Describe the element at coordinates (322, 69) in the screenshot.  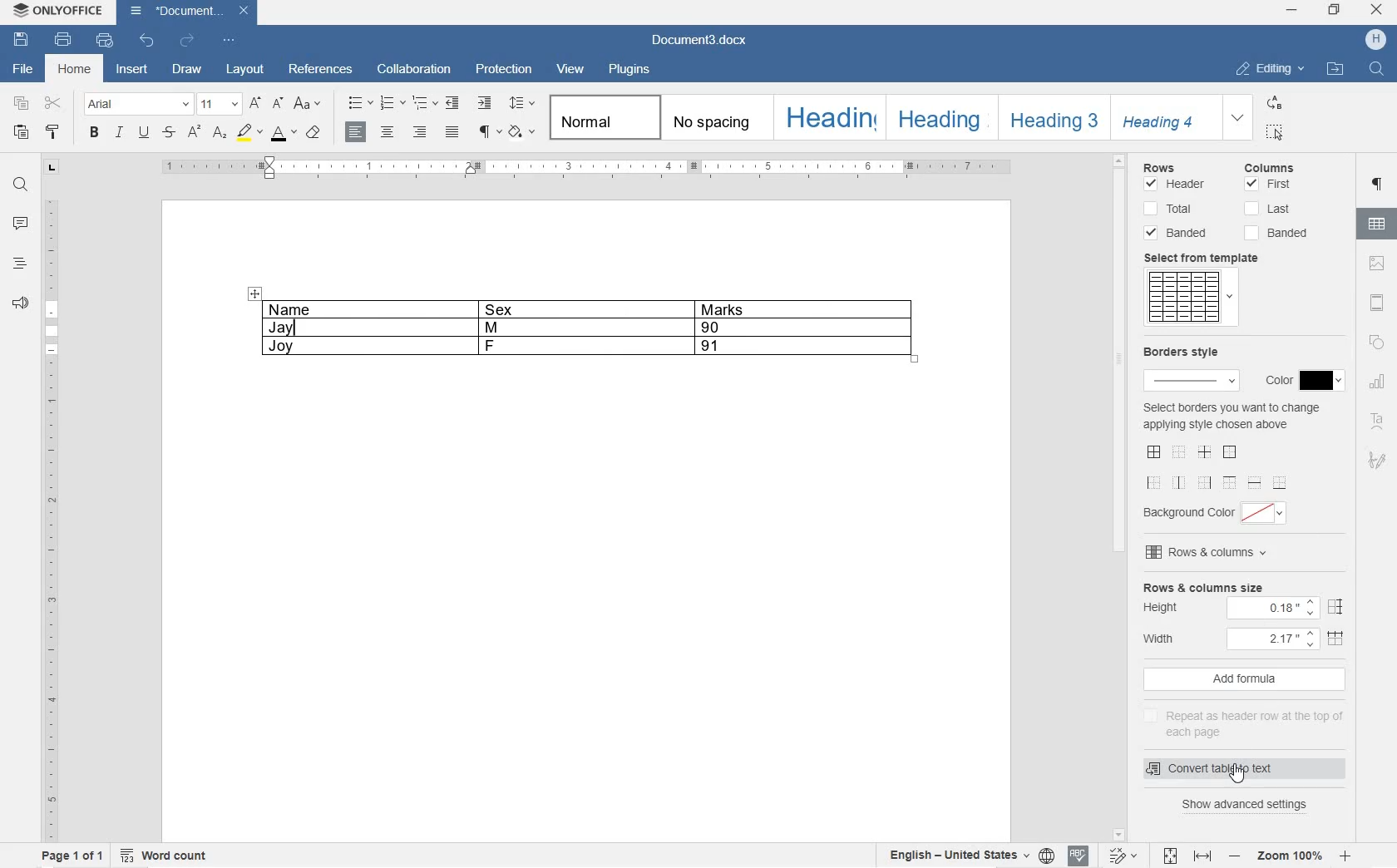
I see `REFERENCES` at that location.